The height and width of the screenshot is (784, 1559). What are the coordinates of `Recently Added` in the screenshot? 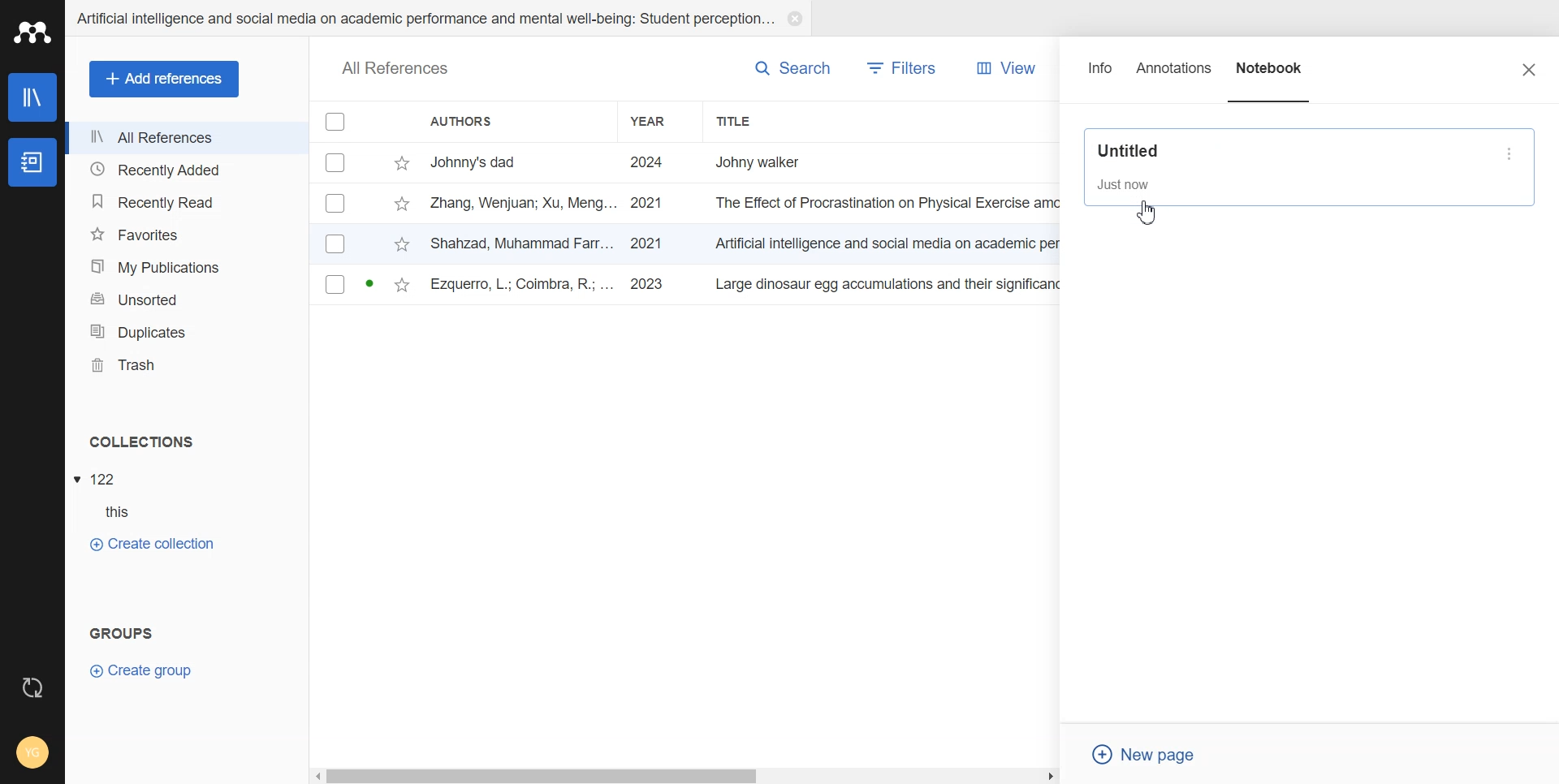 It's located at (186, 168).